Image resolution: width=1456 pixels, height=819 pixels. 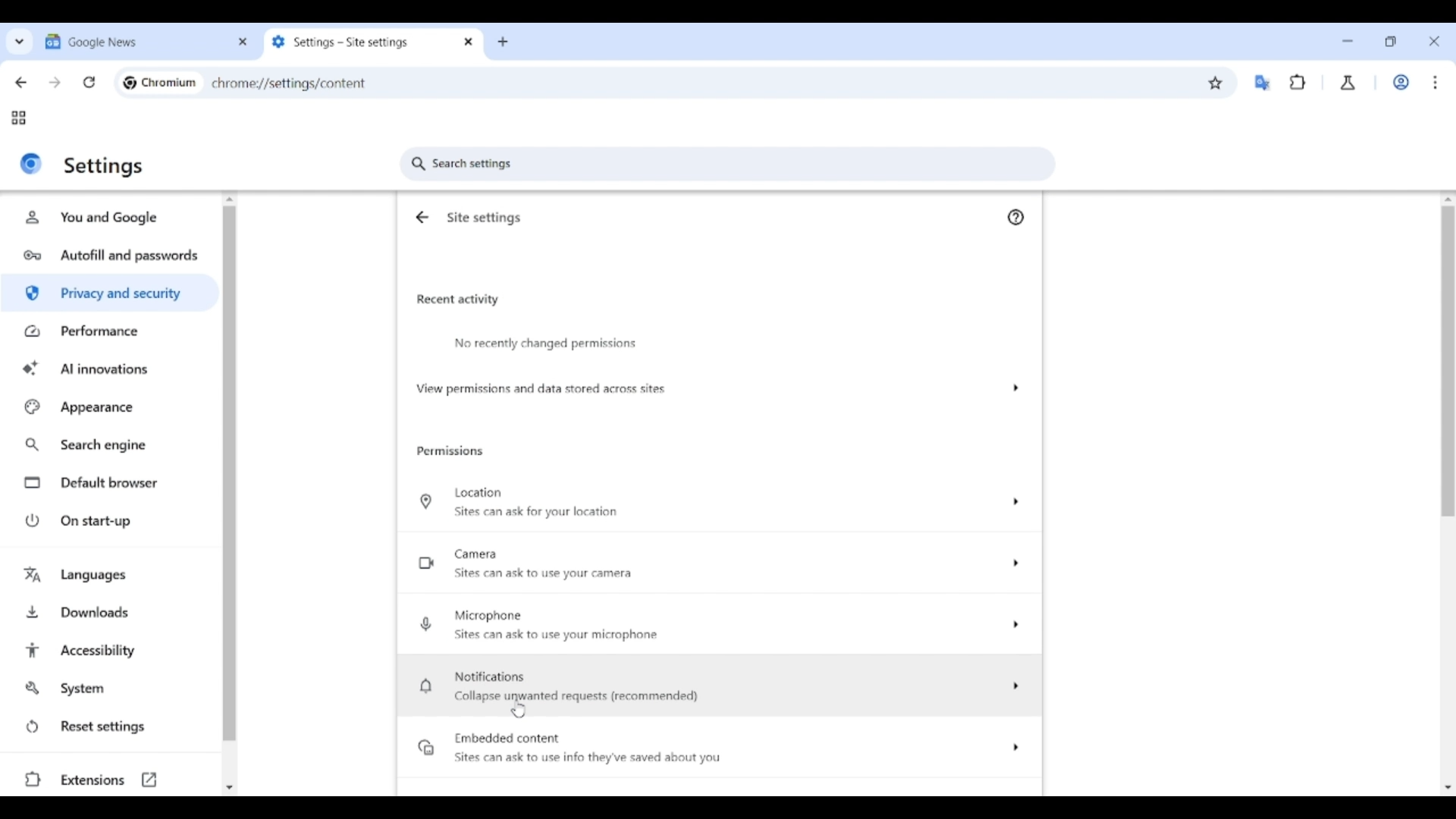 What do you see at coordinates (109, 689) in the screenshot?
I see `System` at bounding box center [109, 689].